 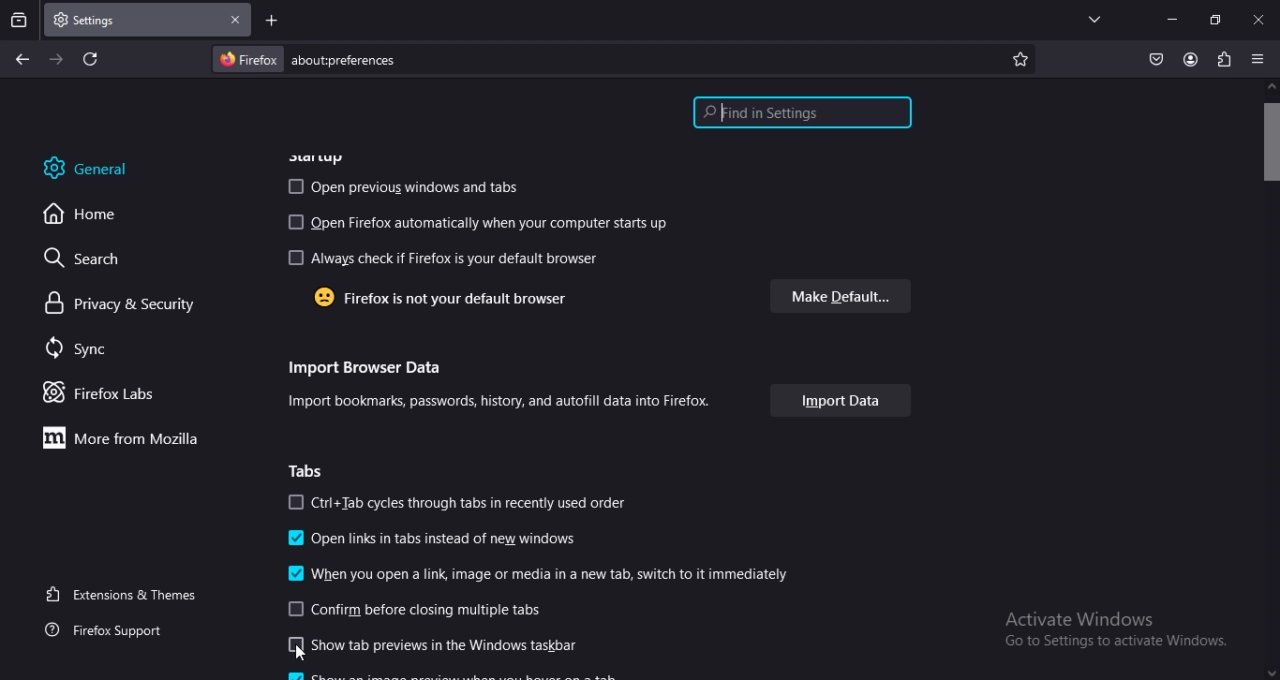 I want to click on about:preferences, so click(x=482, y=60).